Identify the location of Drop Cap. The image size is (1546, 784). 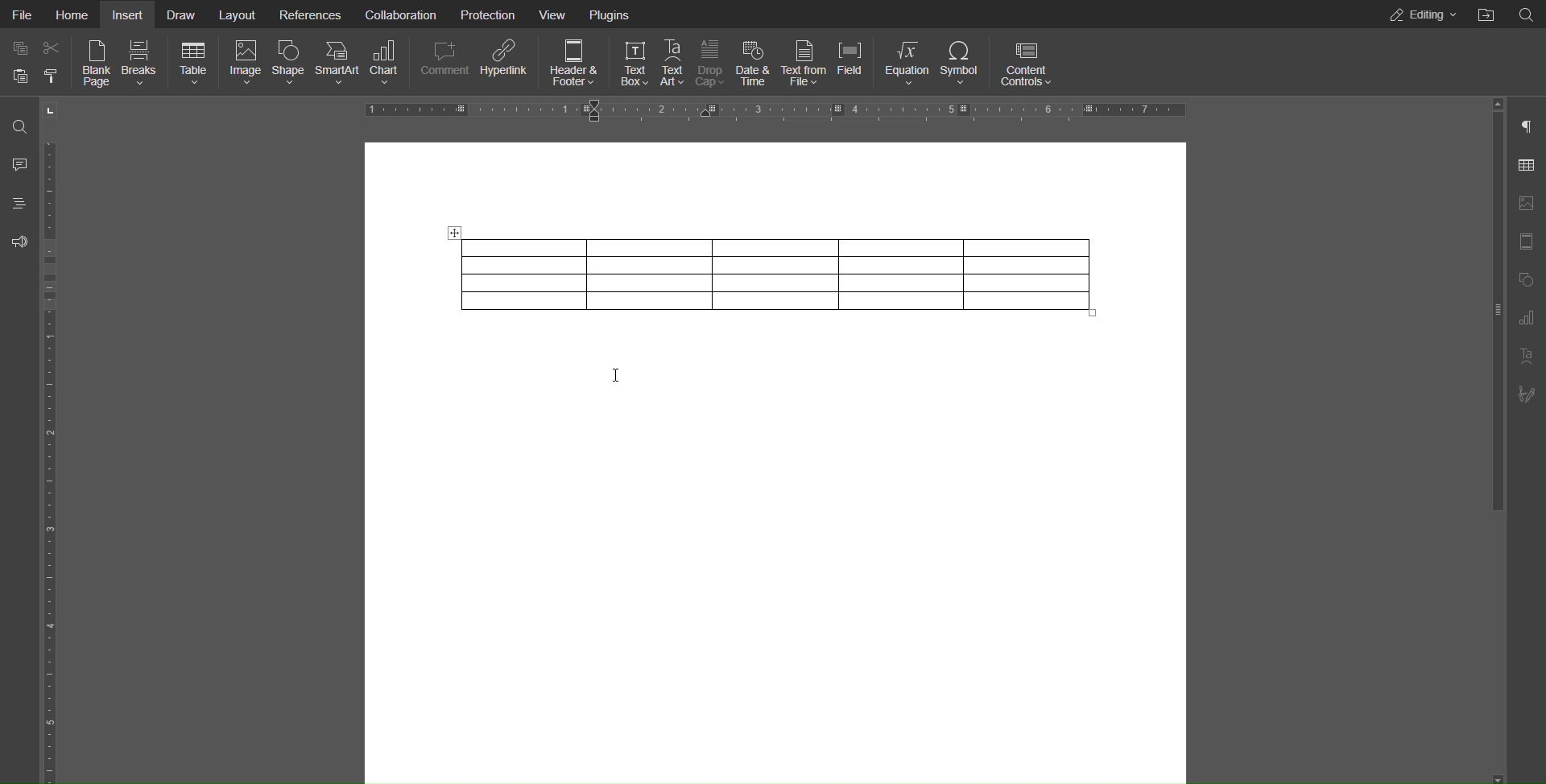
(714, 64).